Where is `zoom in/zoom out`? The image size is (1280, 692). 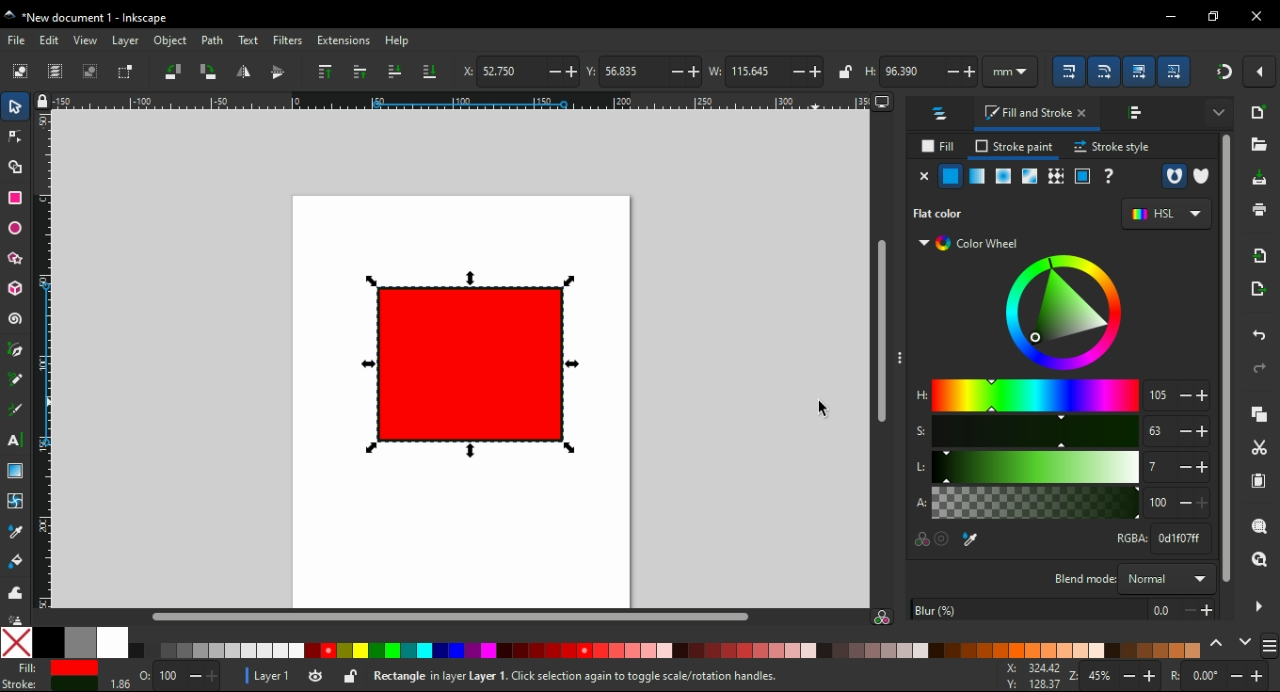 zoom in/zoom out is located at coordinates (1072, 676).